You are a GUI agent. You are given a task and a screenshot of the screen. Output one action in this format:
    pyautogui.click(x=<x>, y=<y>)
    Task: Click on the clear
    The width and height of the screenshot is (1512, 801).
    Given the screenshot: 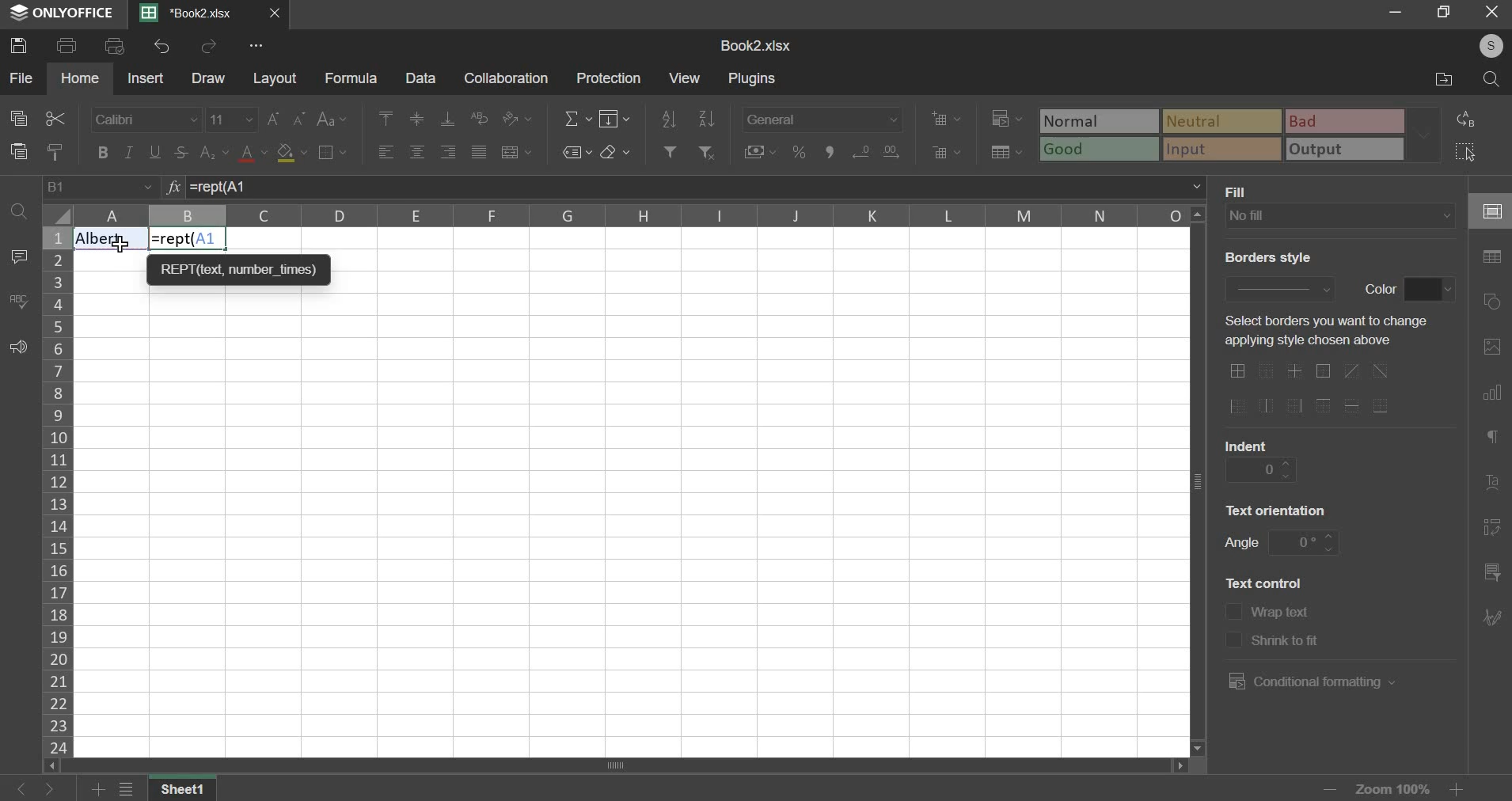 What is the action you would take?
    pyautogui.click(x=615, y=151)
    